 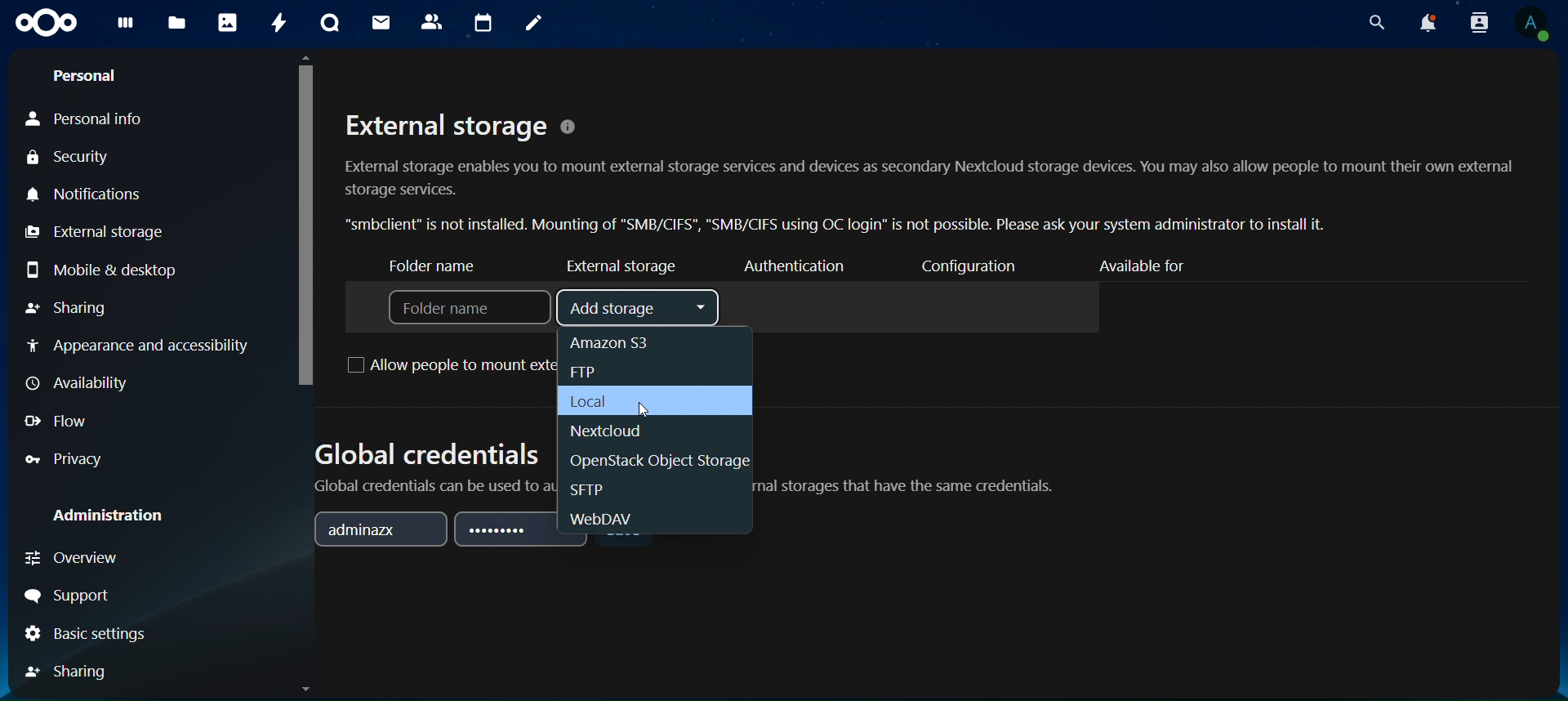 I want to click on SFTP, so click(x=591, y=491).